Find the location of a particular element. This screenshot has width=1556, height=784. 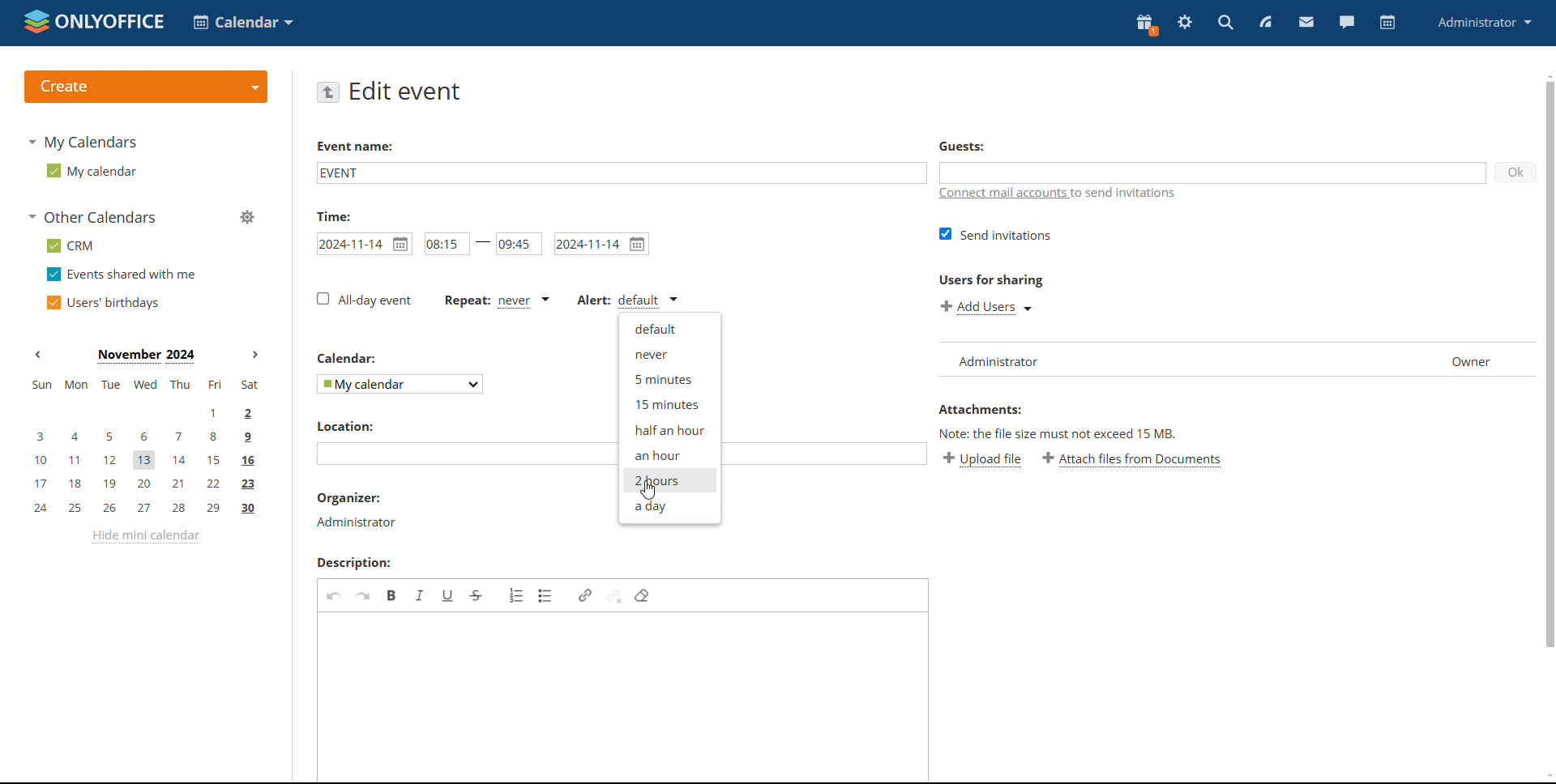

underline is located at coordinates (448, 594).